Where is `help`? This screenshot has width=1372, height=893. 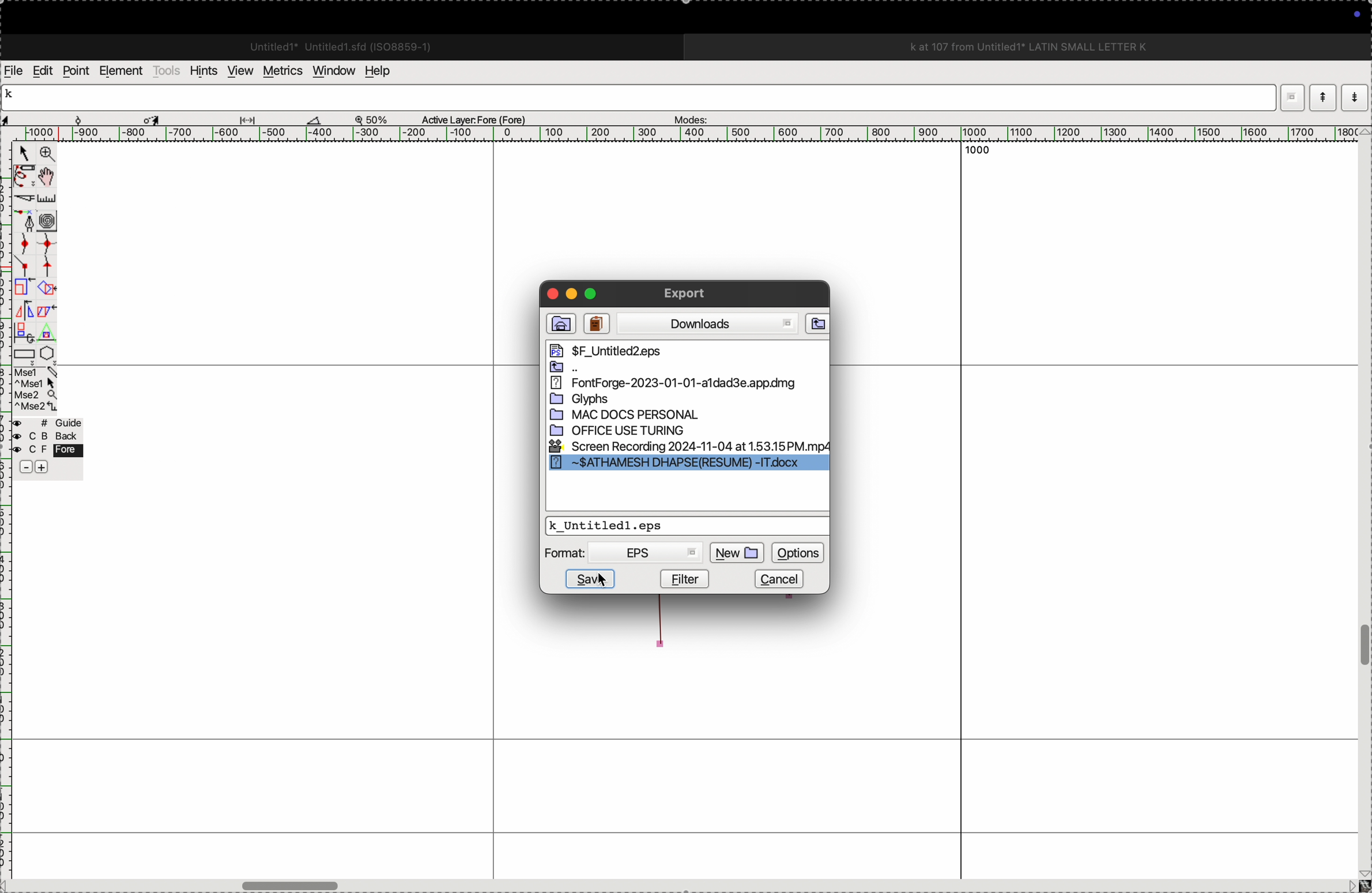 help is located at coordinates (385, 71).